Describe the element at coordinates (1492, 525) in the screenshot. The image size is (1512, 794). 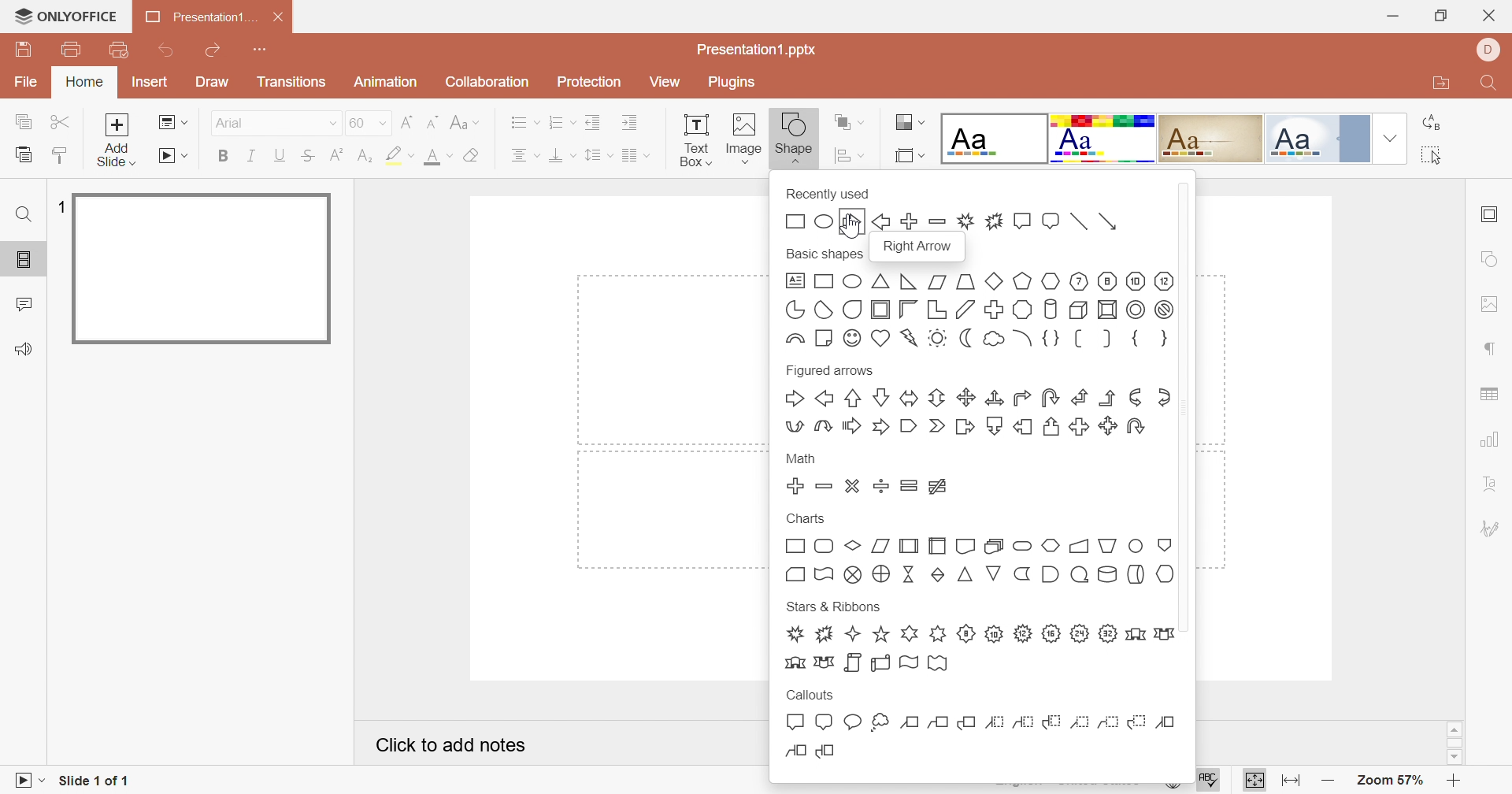
I see `Signature settings` at that location.